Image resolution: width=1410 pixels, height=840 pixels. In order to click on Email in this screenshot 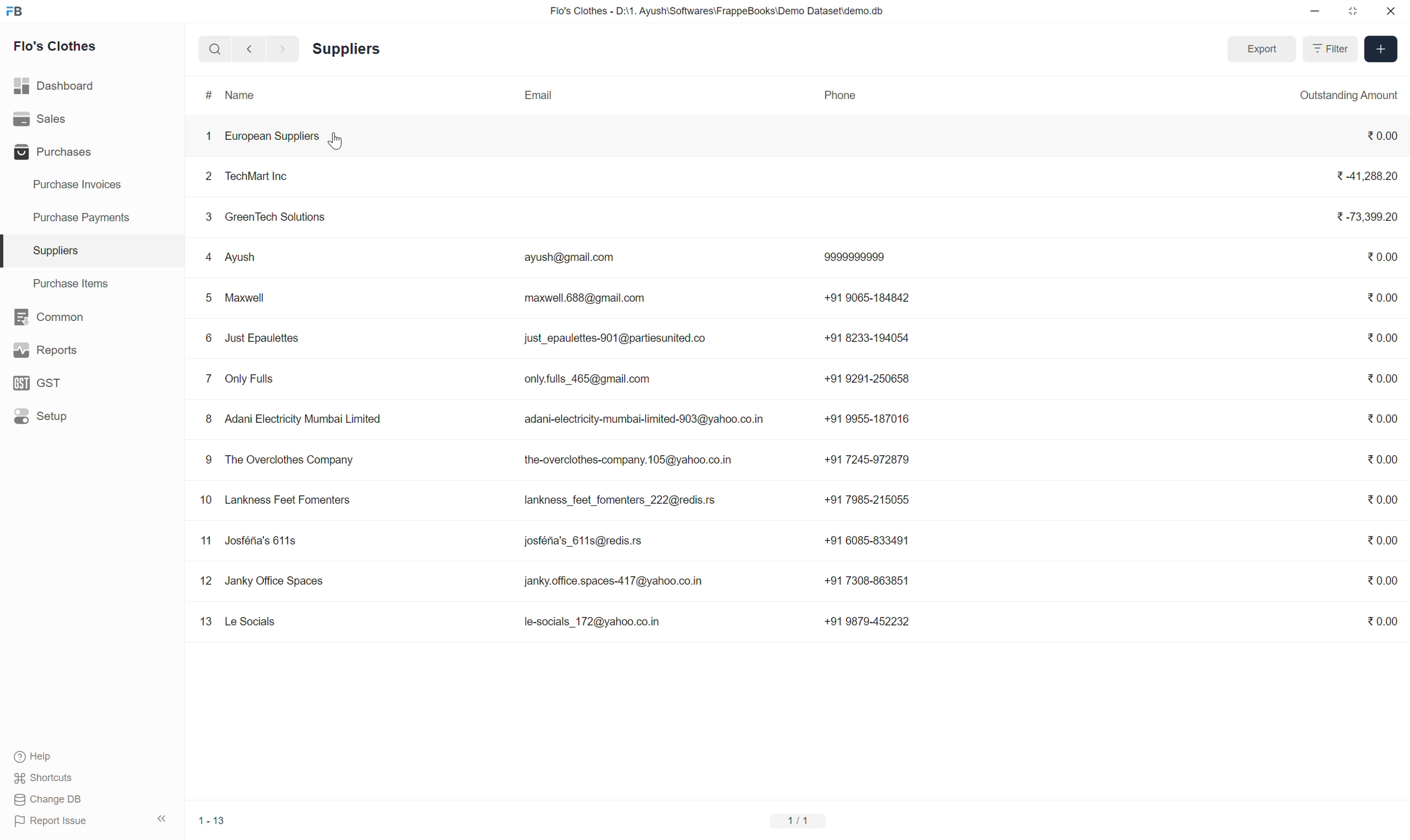, I will do `click(533, 93)`.